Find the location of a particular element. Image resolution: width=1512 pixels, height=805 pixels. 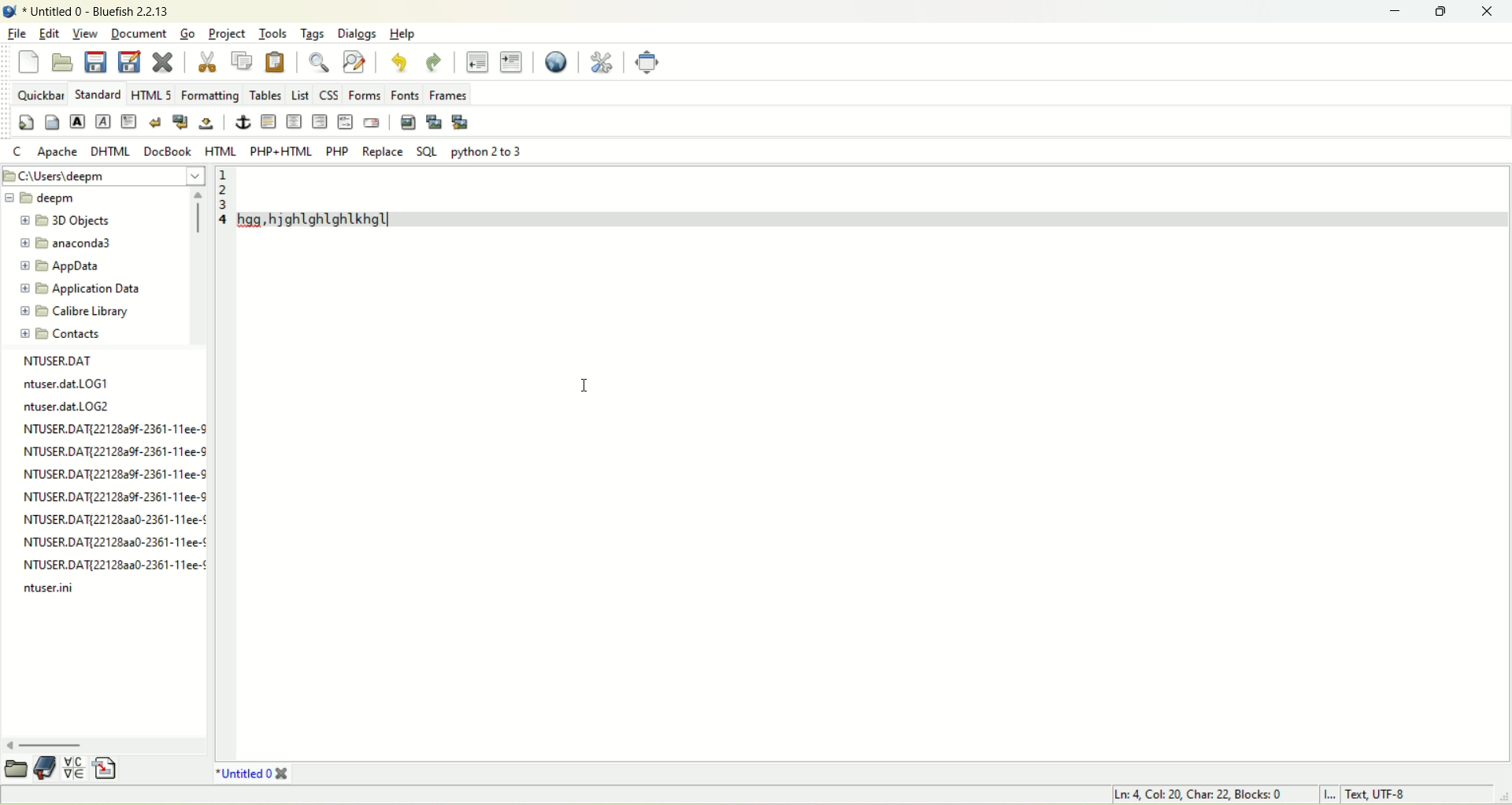

folder name is located at coordinates (75, 245).